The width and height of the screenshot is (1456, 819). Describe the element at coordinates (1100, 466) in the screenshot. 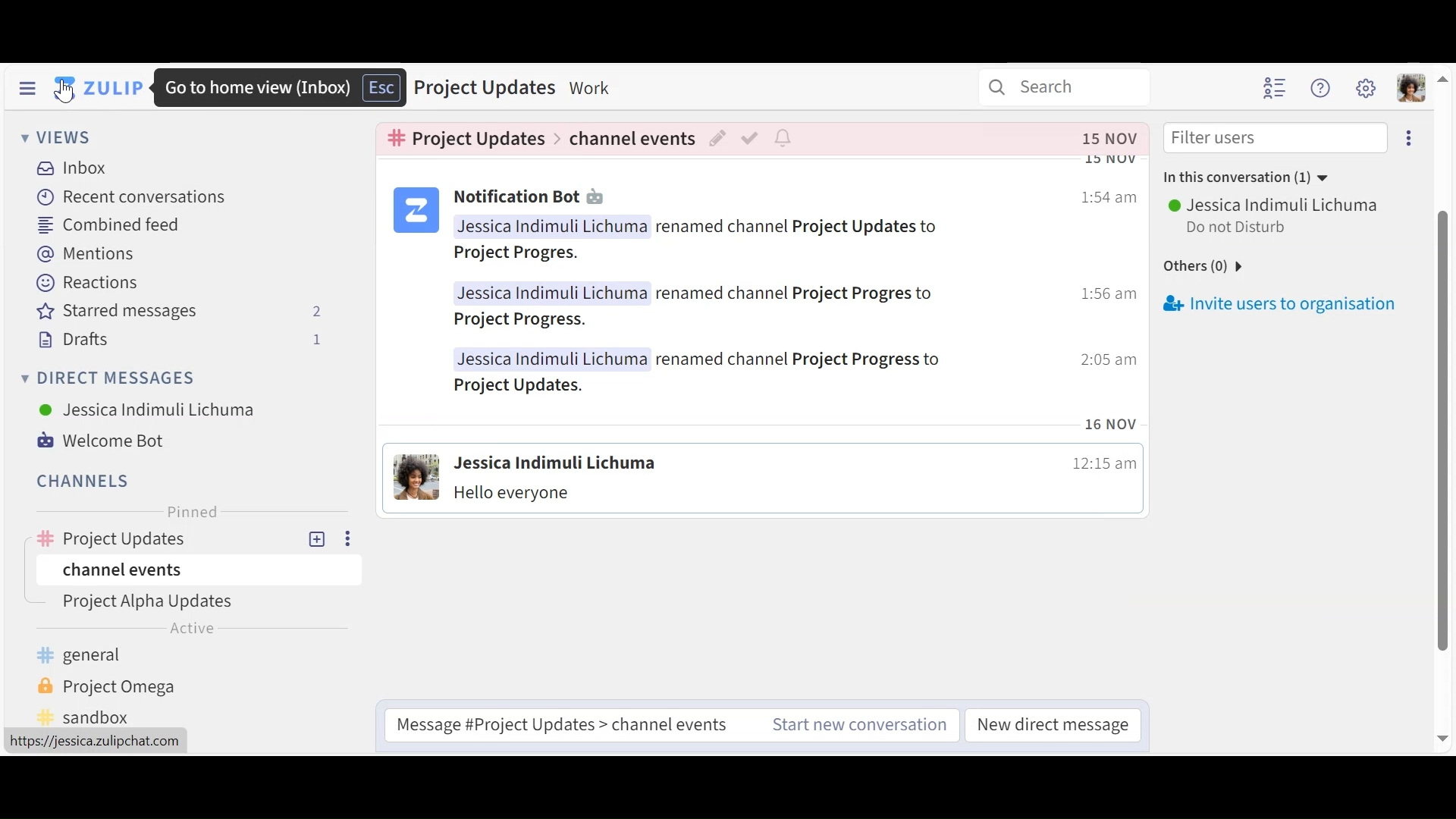

I see `time` at that location.